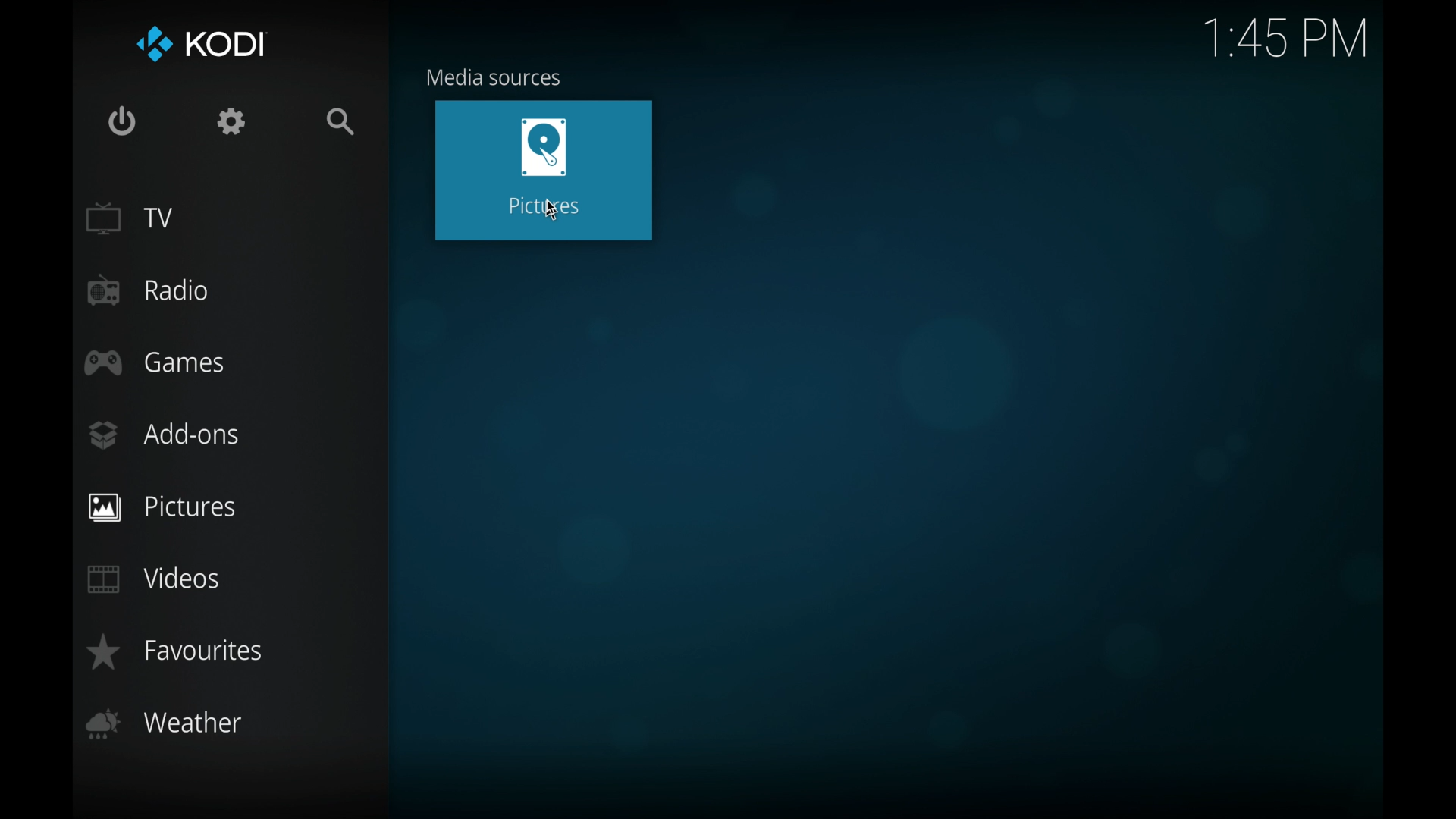  What do you see at coordinates (231, 121) in the screenshot?
I see `settings` at bounding box center [231, 121].